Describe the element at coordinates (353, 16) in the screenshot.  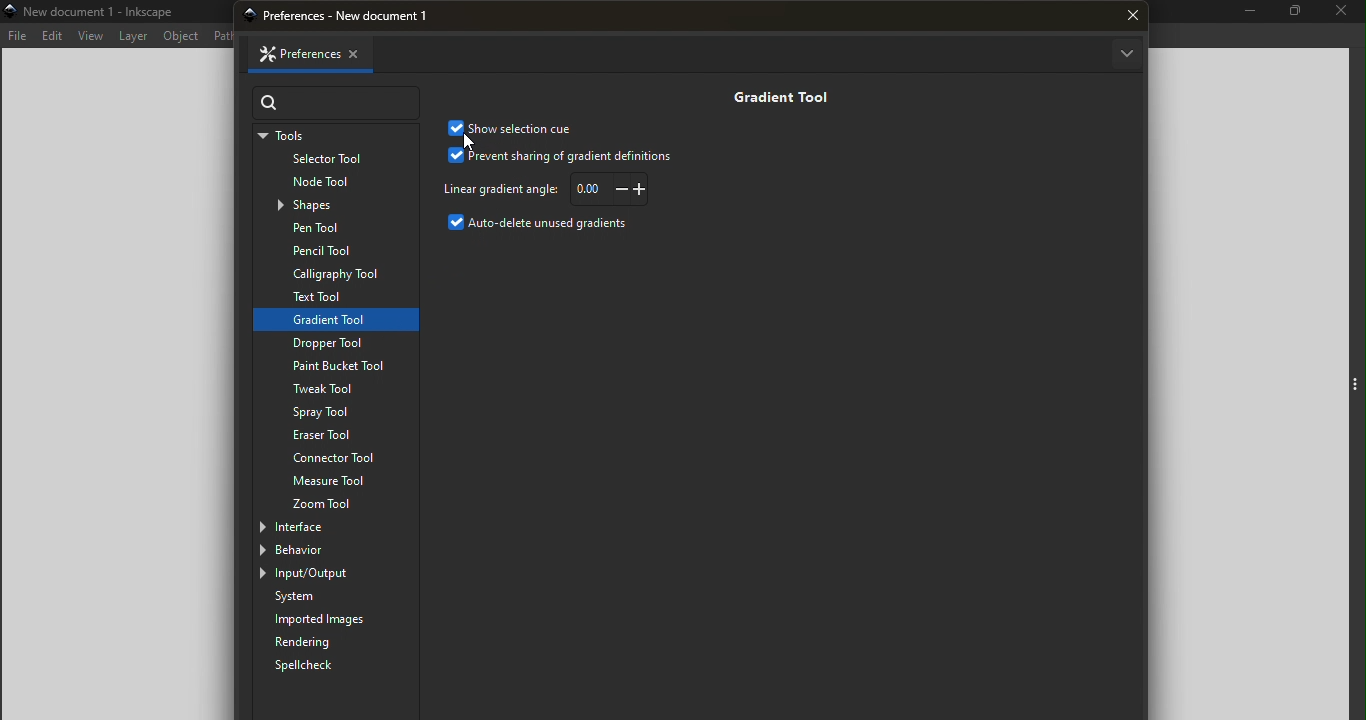
I see `preferences` at that location.